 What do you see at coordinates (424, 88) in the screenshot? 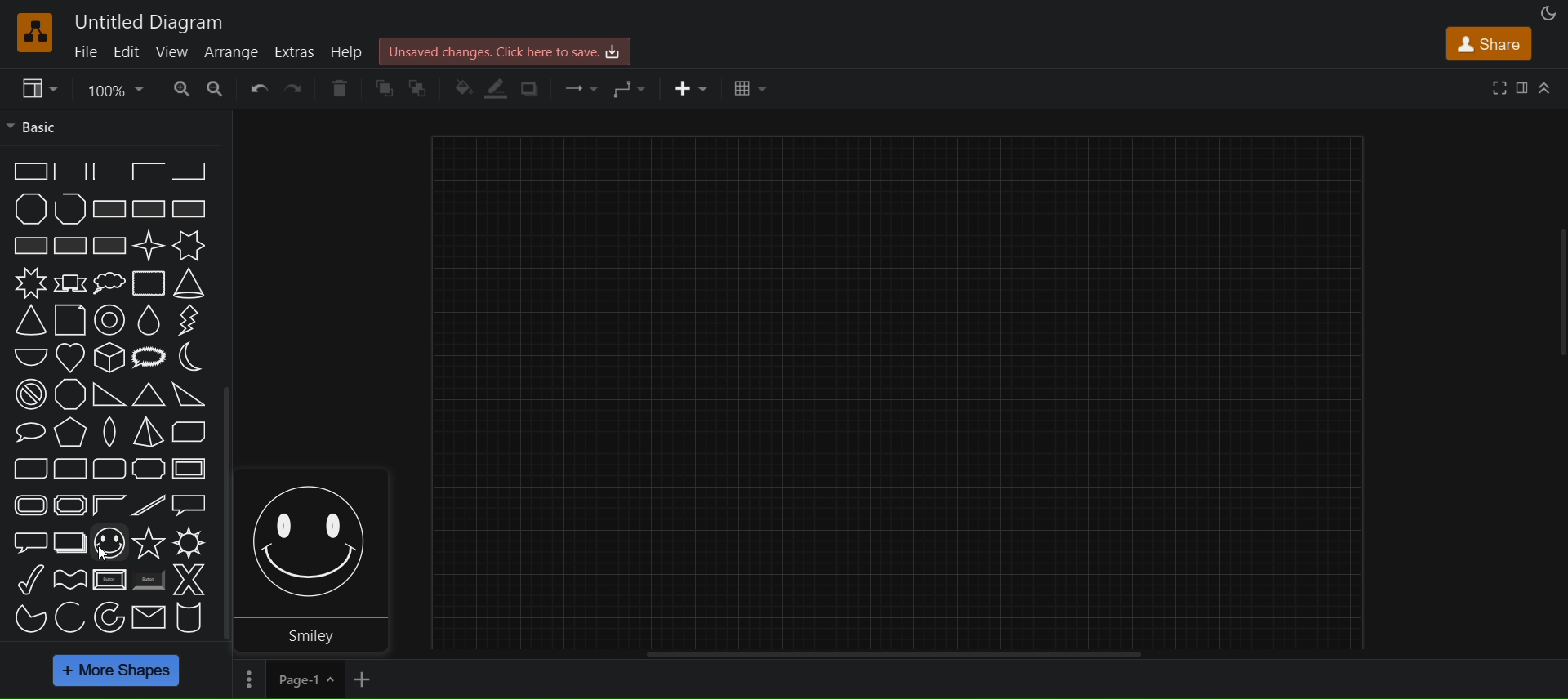
I see `to back` at bounding box center [424, 88].